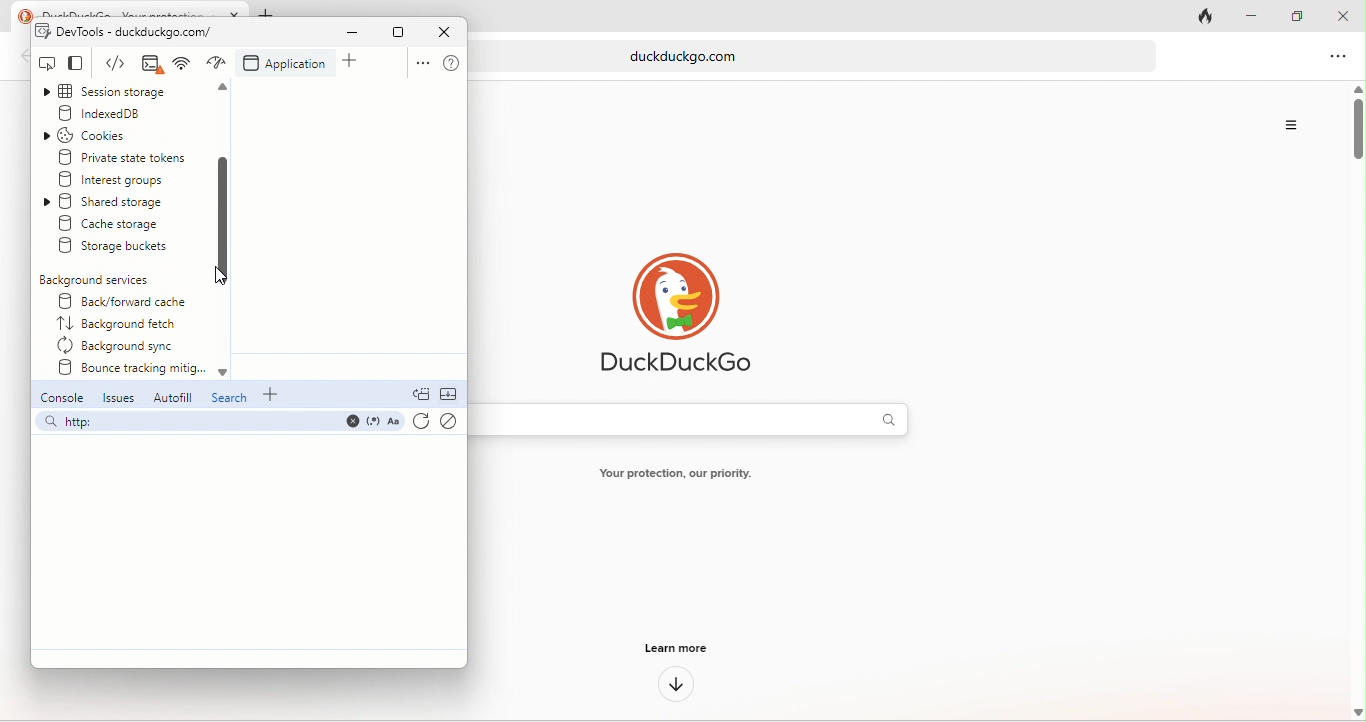 This screenshot has height=722, width=1366. I want to click on console, so click(60, 399).